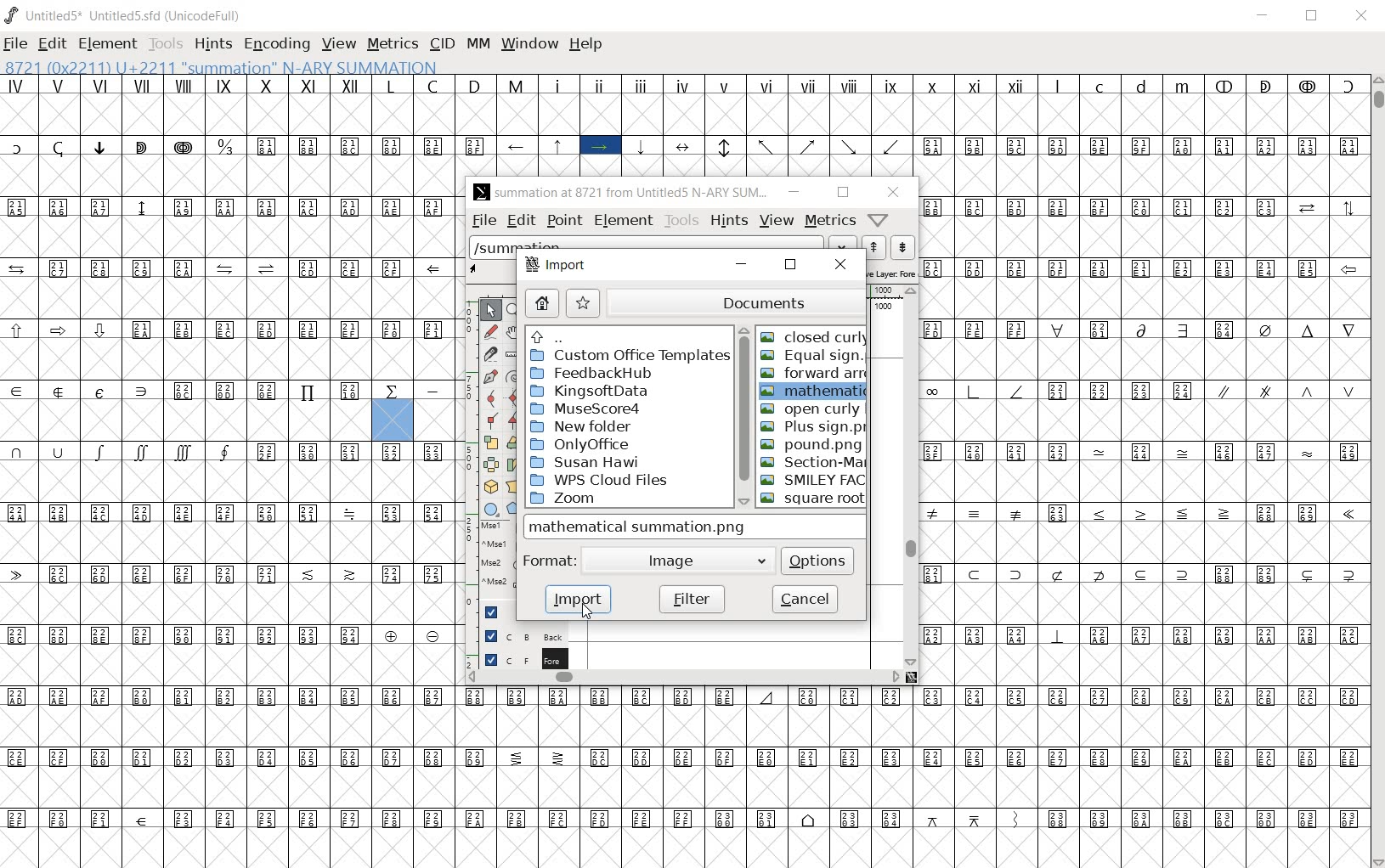  What do you see at coordinates (491, 442) in the screenshot?
I see `scale the selection` at bounding box center [491, 442].